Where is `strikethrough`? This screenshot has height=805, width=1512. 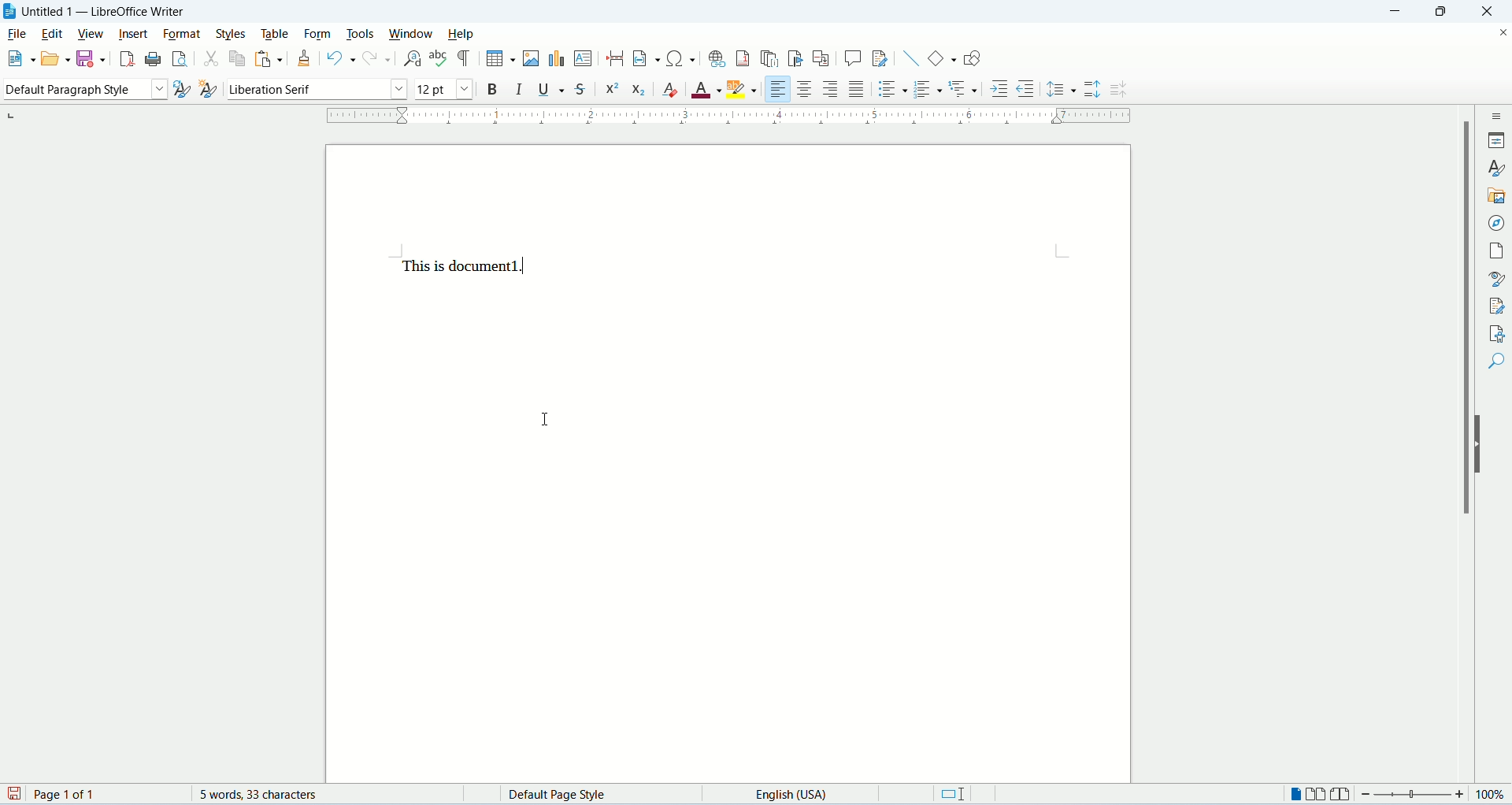
strikethrough is located at coordinates (582, 88).